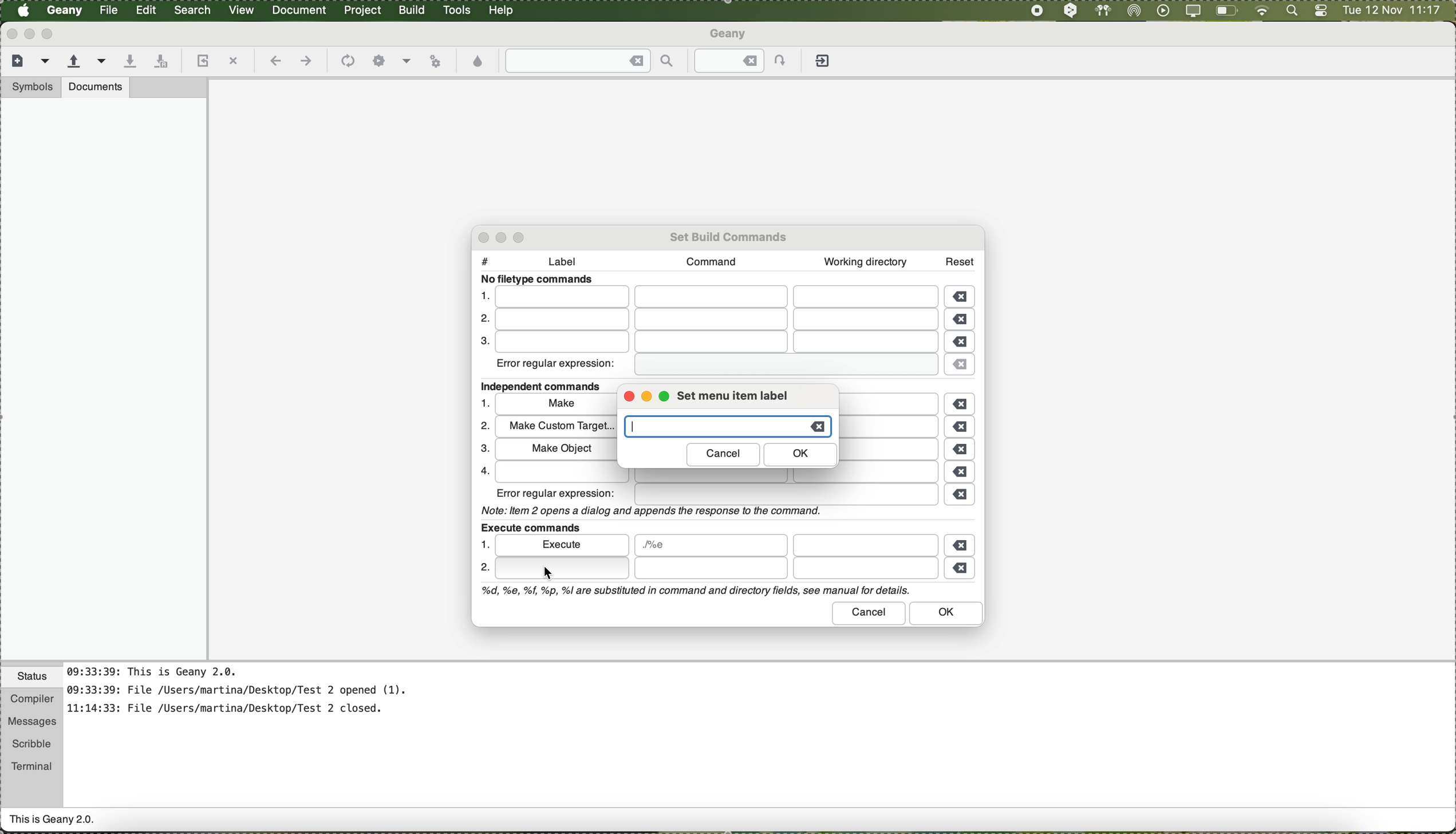 The height and width of the screenshot is (834, 1456). I want to click on close pop-up, so click(479, 237).